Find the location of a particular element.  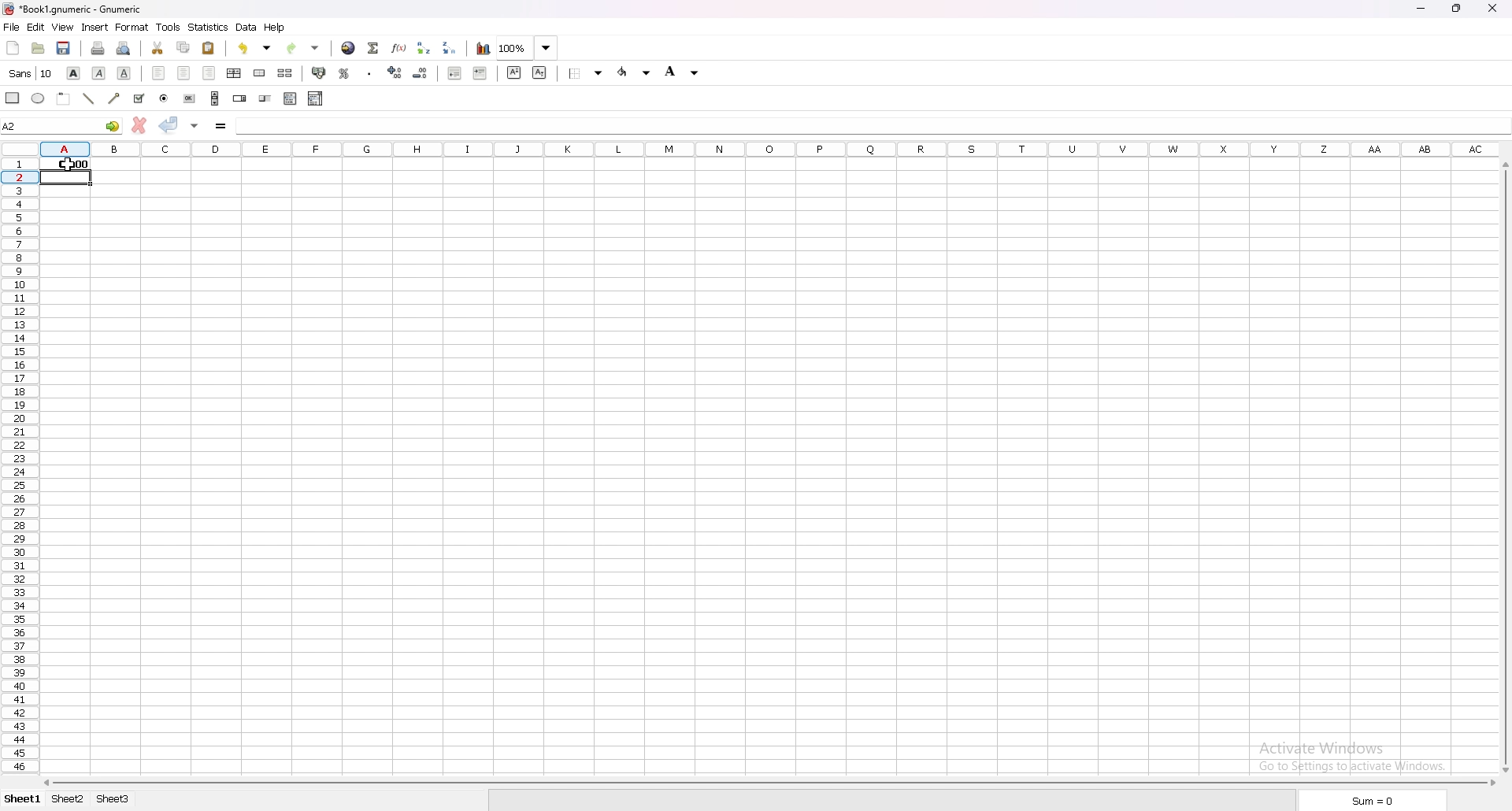

accounting is located at coordinates (321, 73).